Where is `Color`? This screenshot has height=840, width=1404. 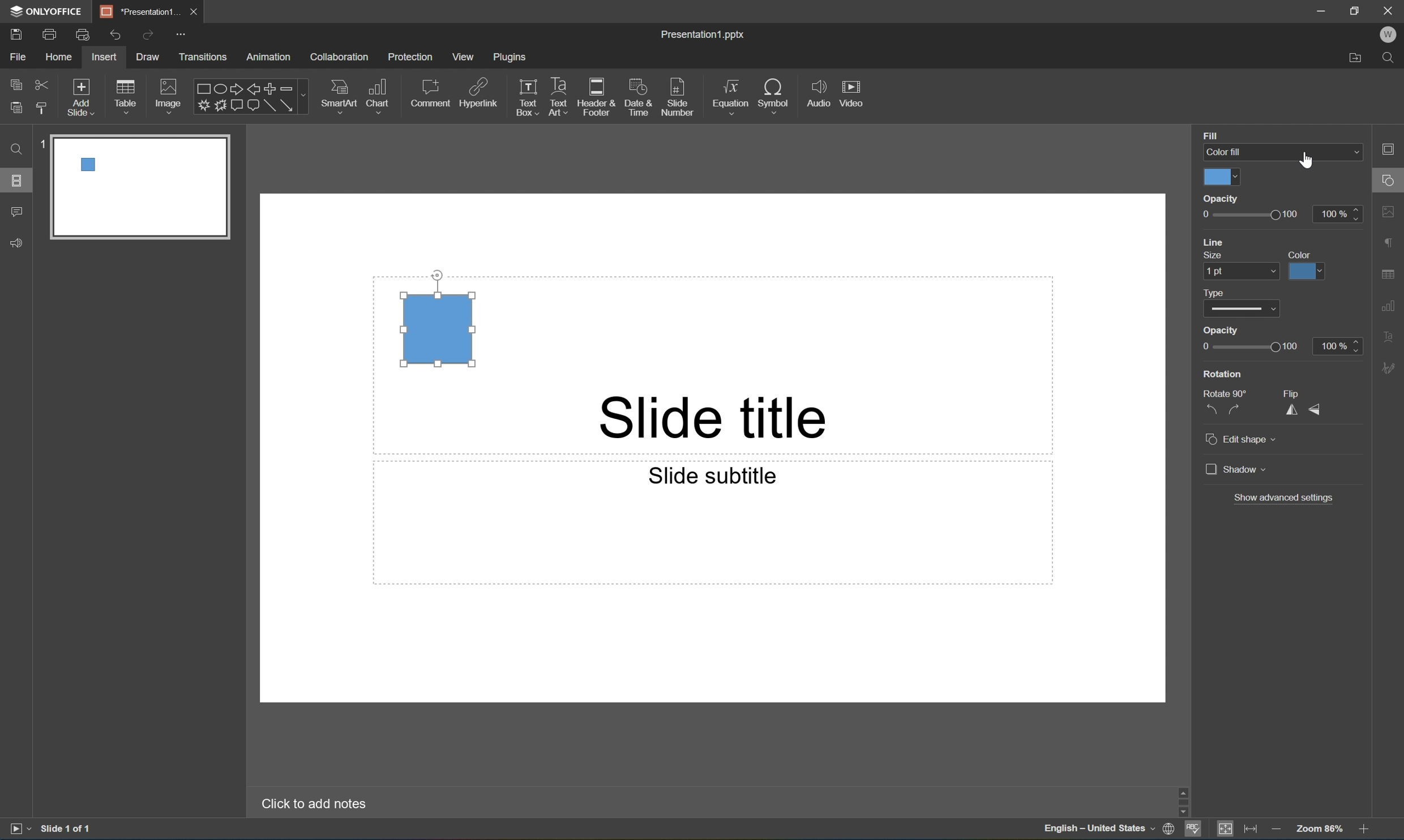
Color is located at coordinates (1303, 254).